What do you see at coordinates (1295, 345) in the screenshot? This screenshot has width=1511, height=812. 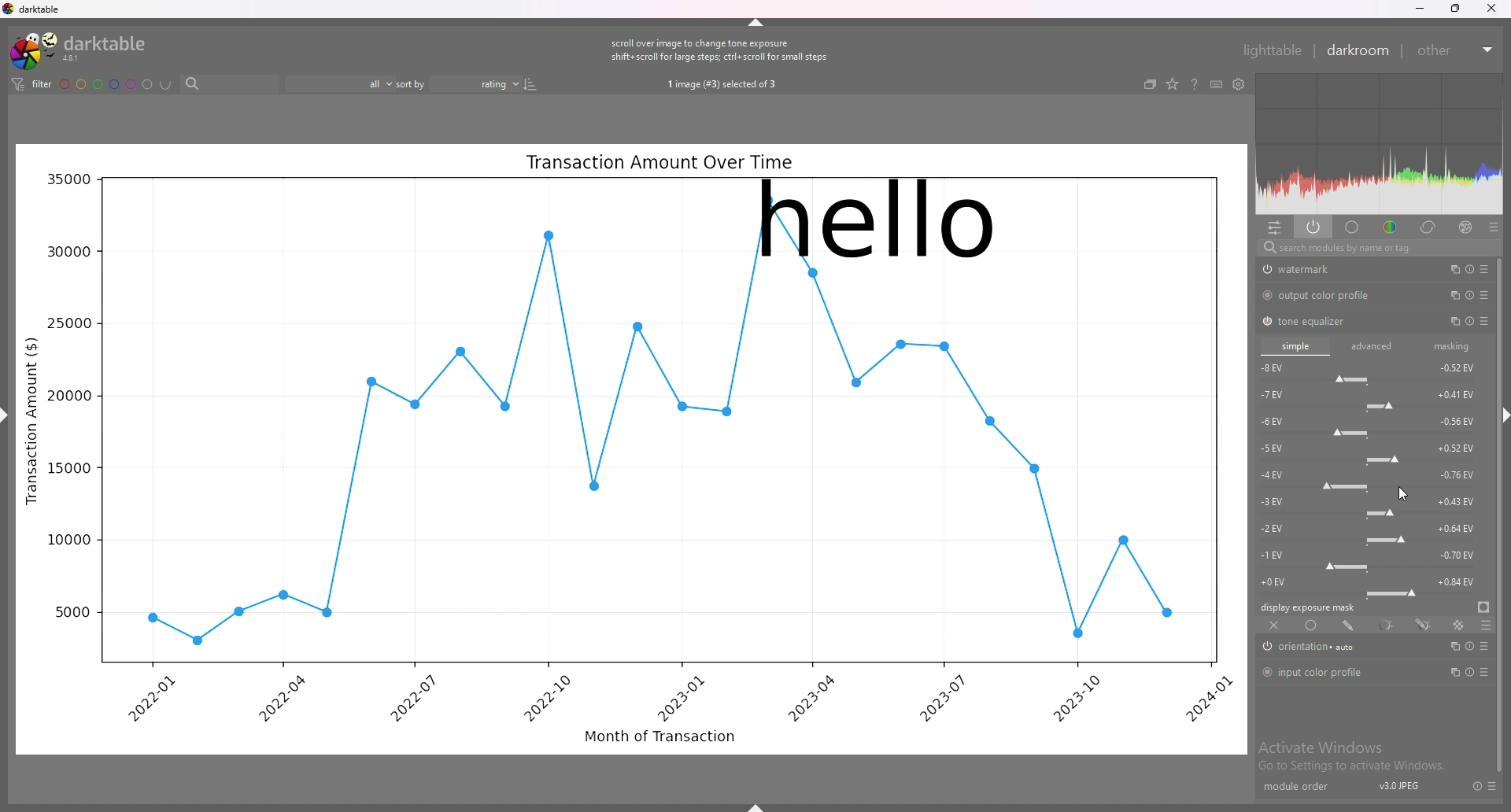 I see `simple` at bounding box center [1295, 345].